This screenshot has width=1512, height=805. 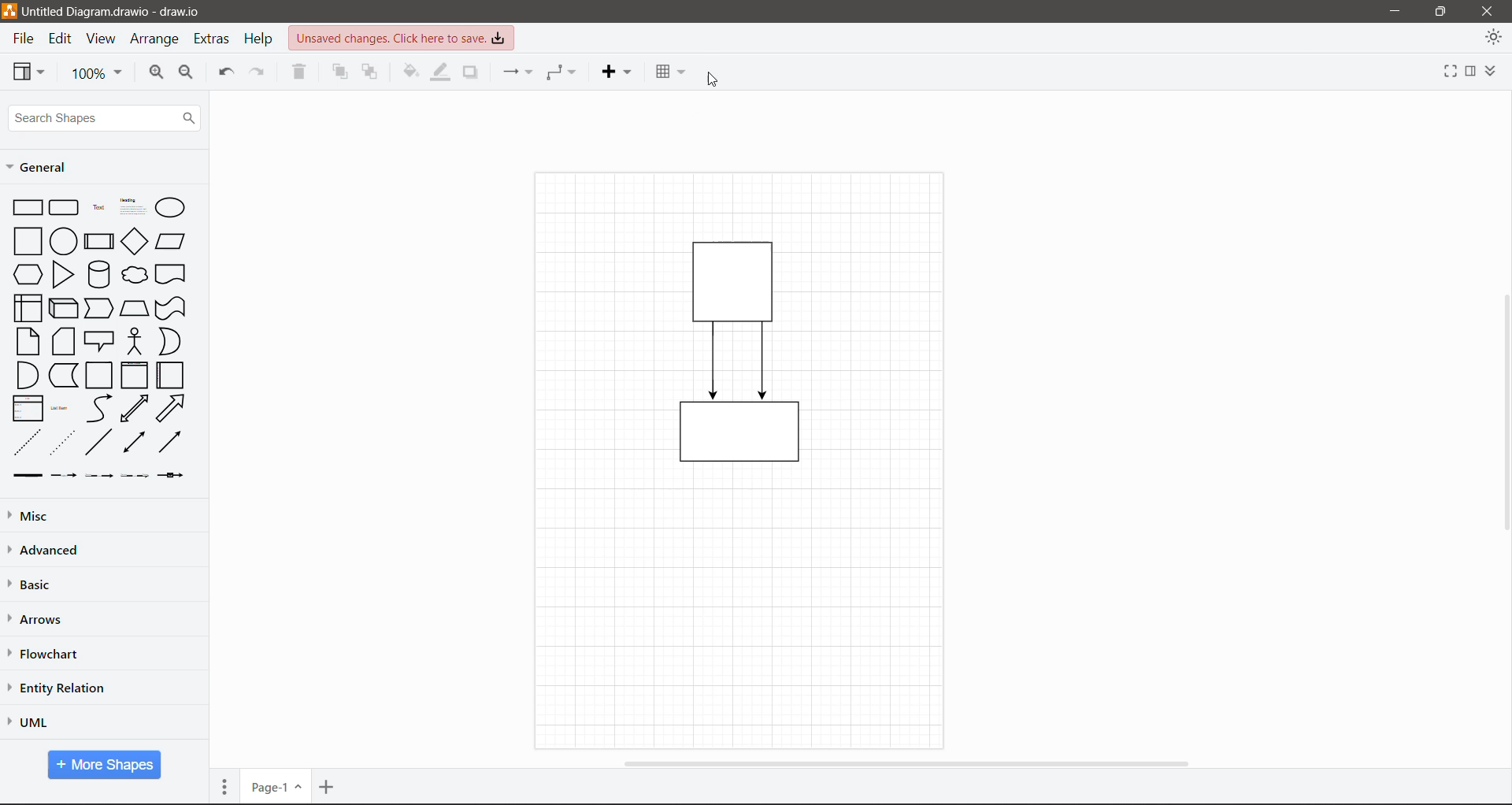 What do you see at coordinates (224, 74) in the screenshot?
I see `Undo` at bounding box center [224, 74].